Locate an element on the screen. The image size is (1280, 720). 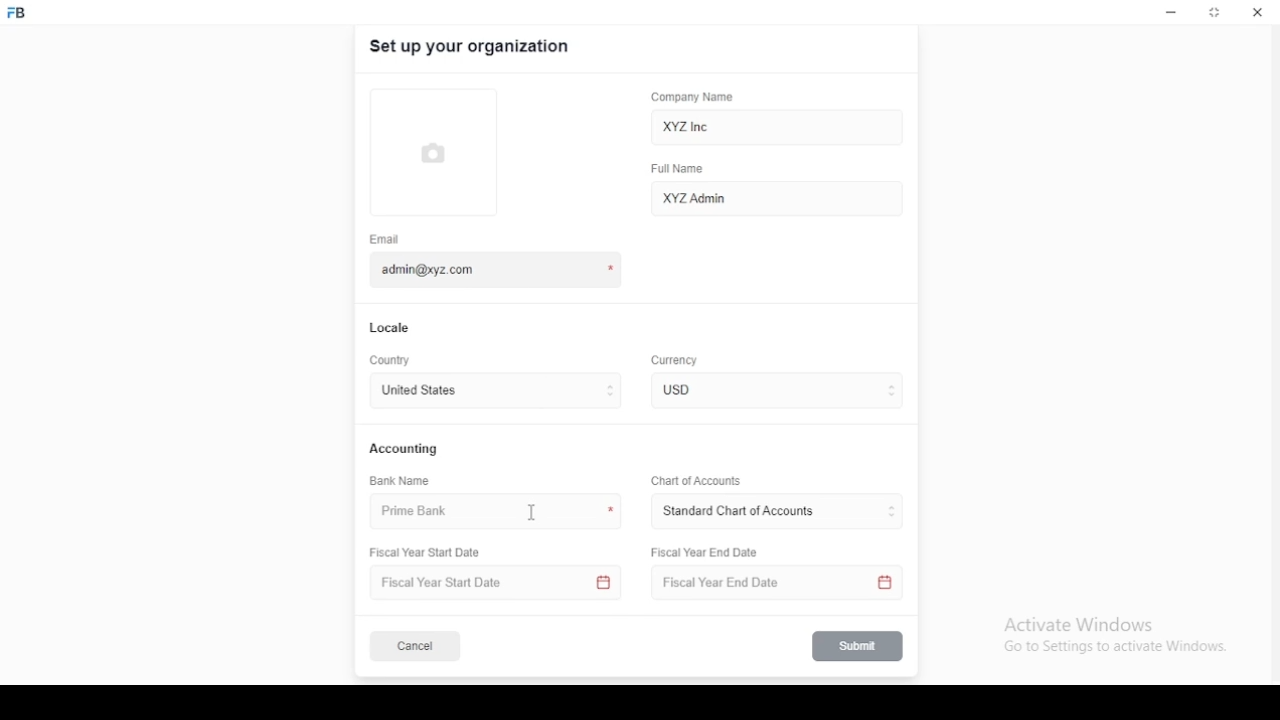
restore is located at coordinates (1216, 14).